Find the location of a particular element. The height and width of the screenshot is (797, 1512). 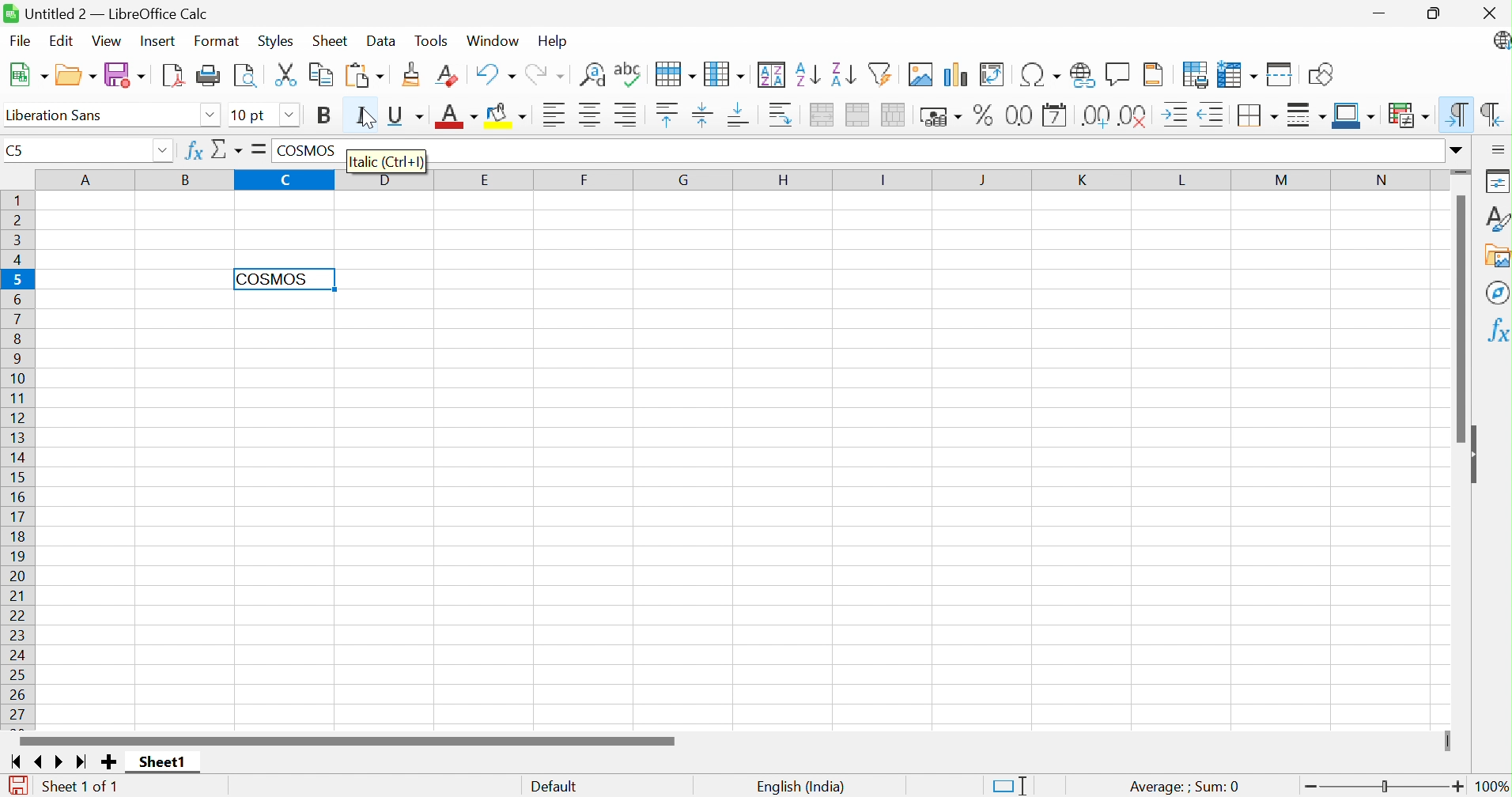

Italic (Ctrl+I) is located at coordinates (384, 161).